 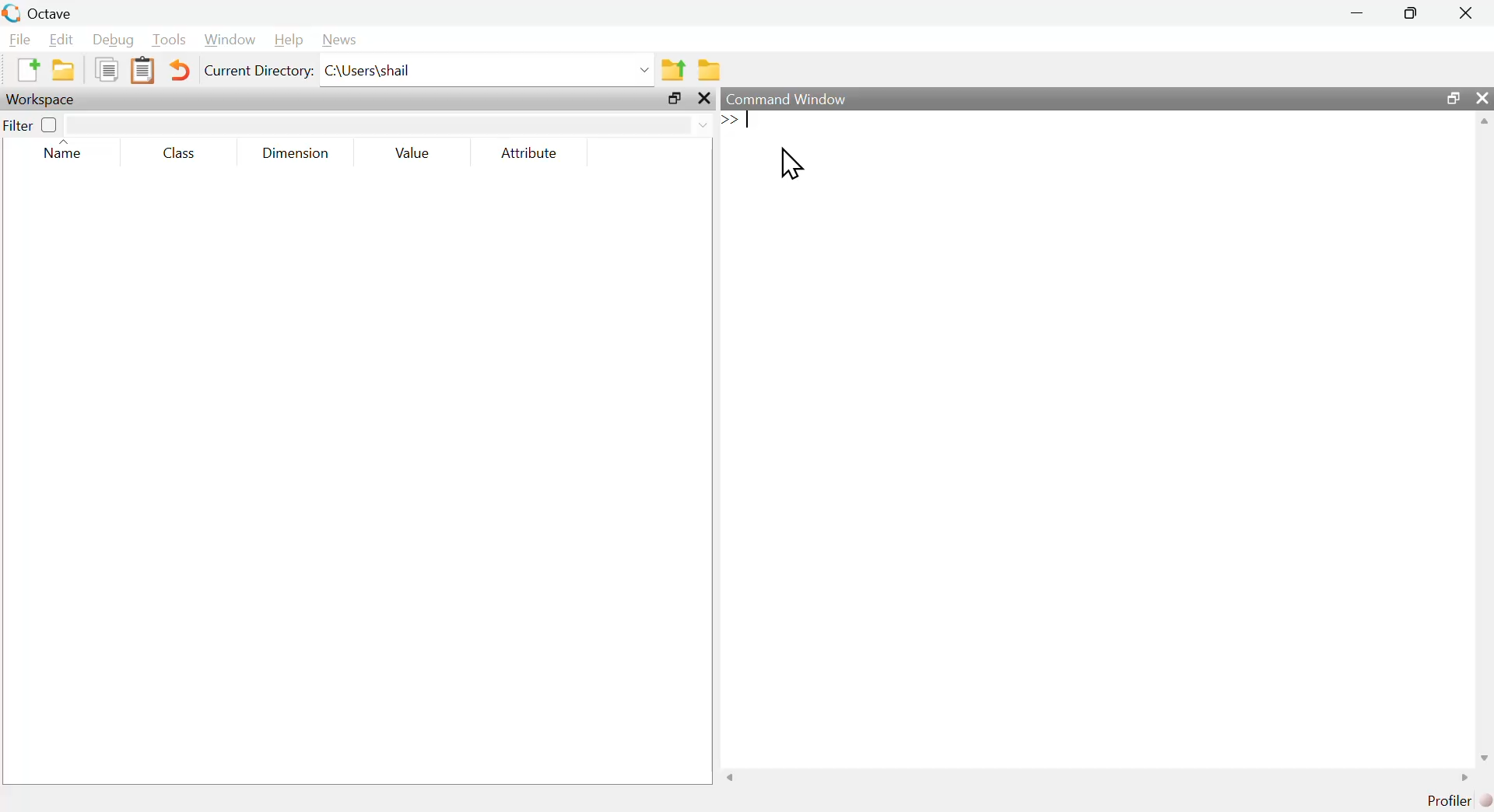 I want to click on C\Users\shail , so click(x=488, y=70).